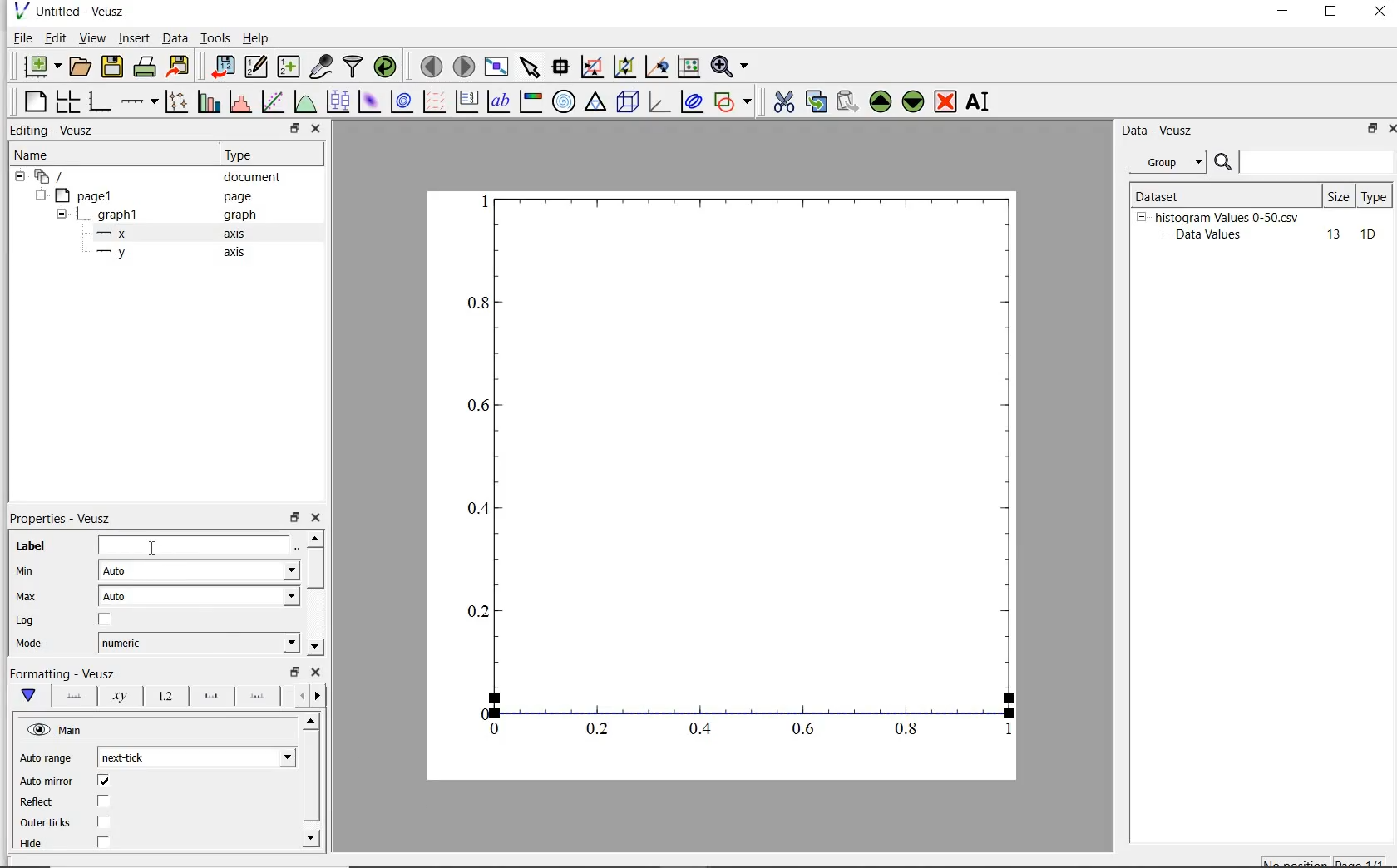  I want to click on checkbox, so click(103, 843).